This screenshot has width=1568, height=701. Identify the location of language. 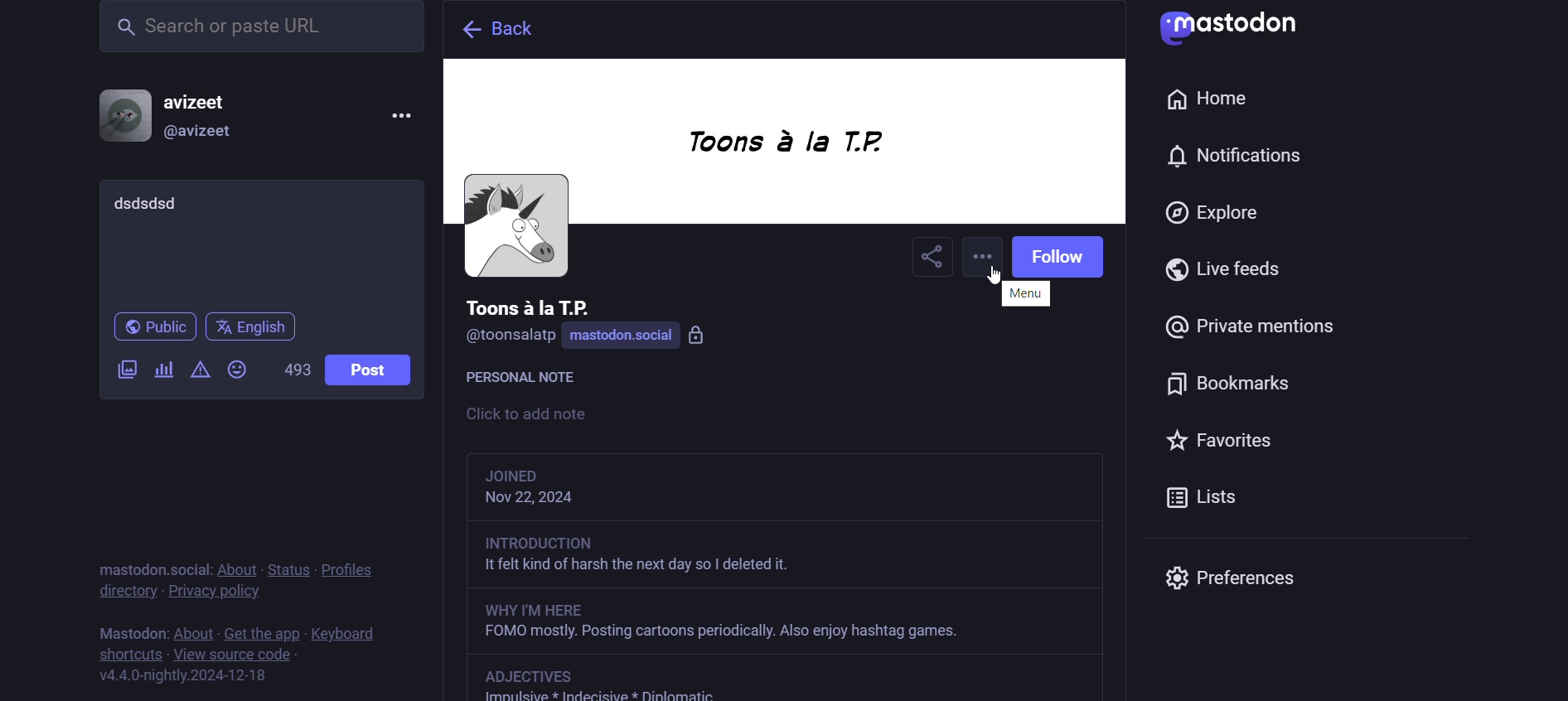
(252, 328).